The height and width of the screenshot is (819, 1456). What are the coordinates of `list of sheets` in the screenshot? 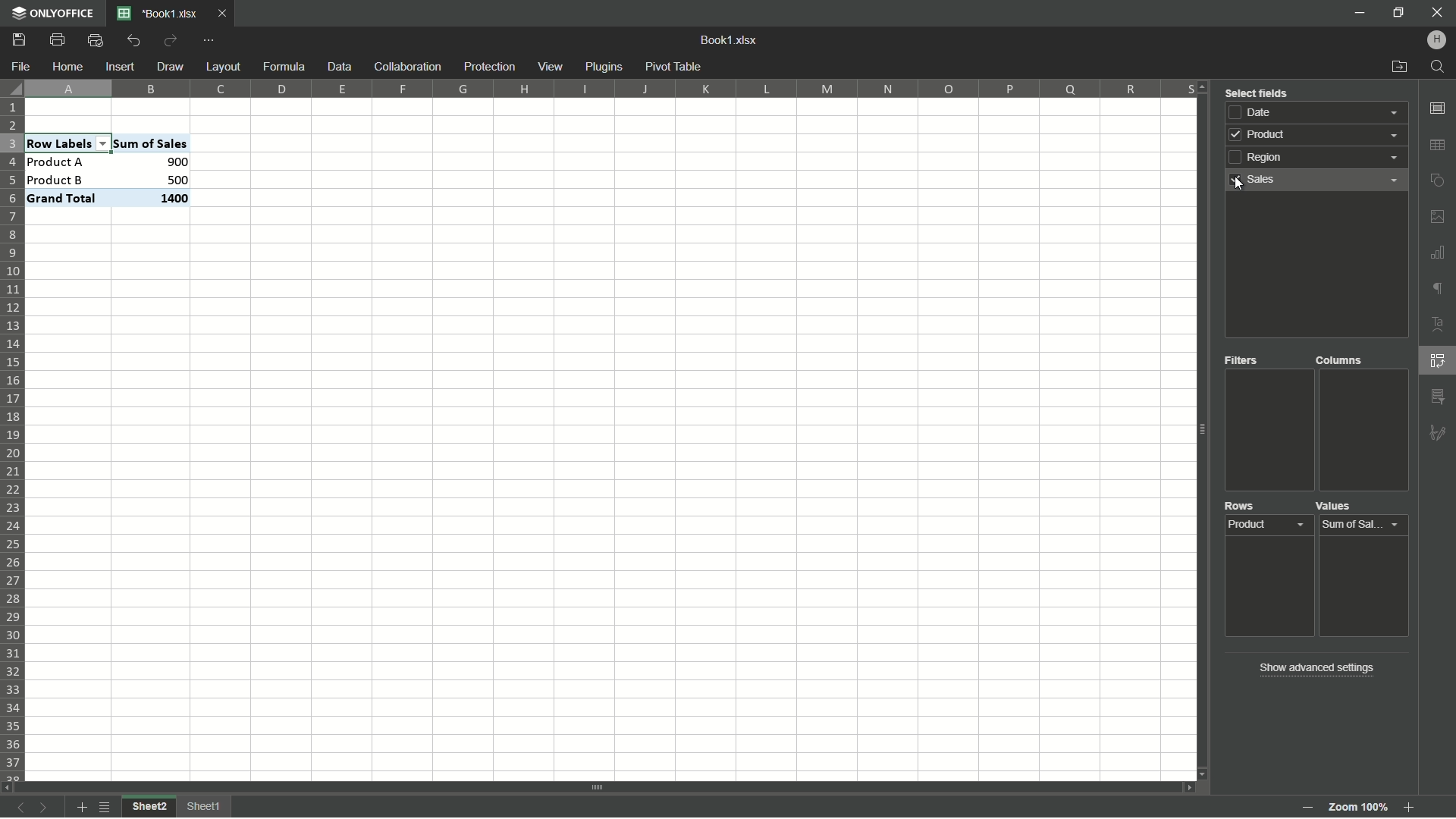 It's located at (106, 806).